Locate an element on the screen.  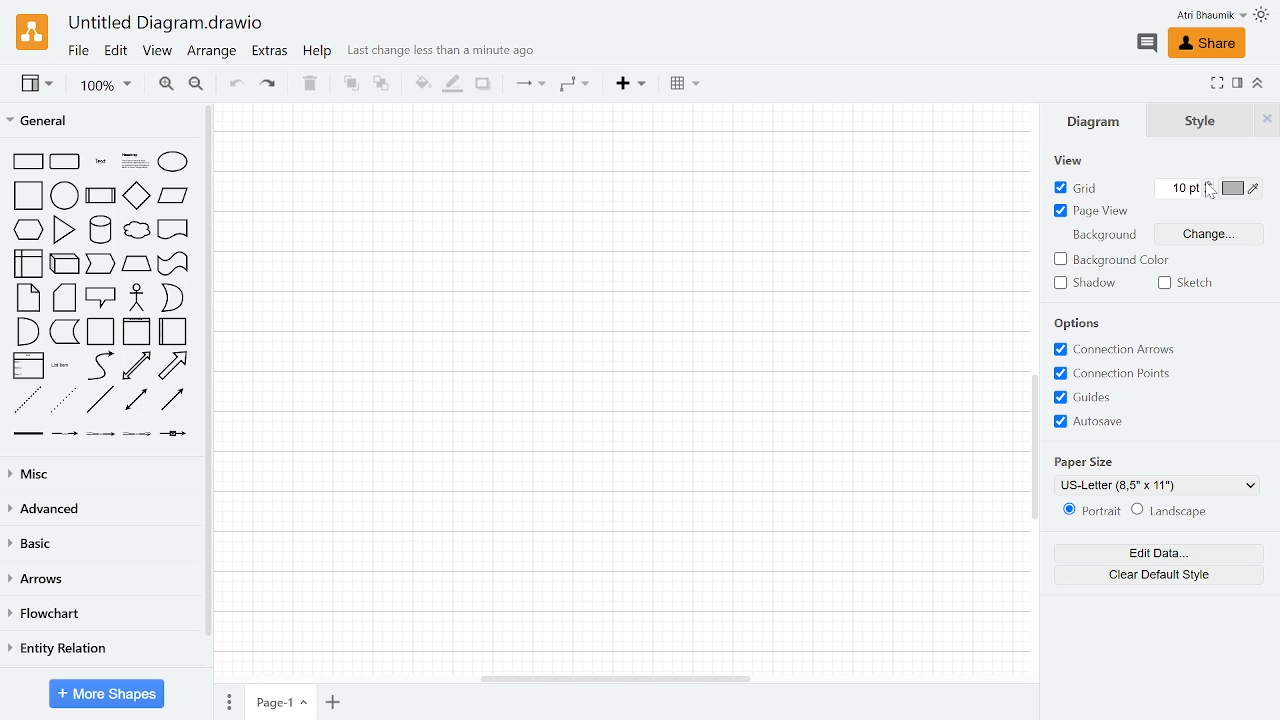
Insert is located at coordinates (629, 84).